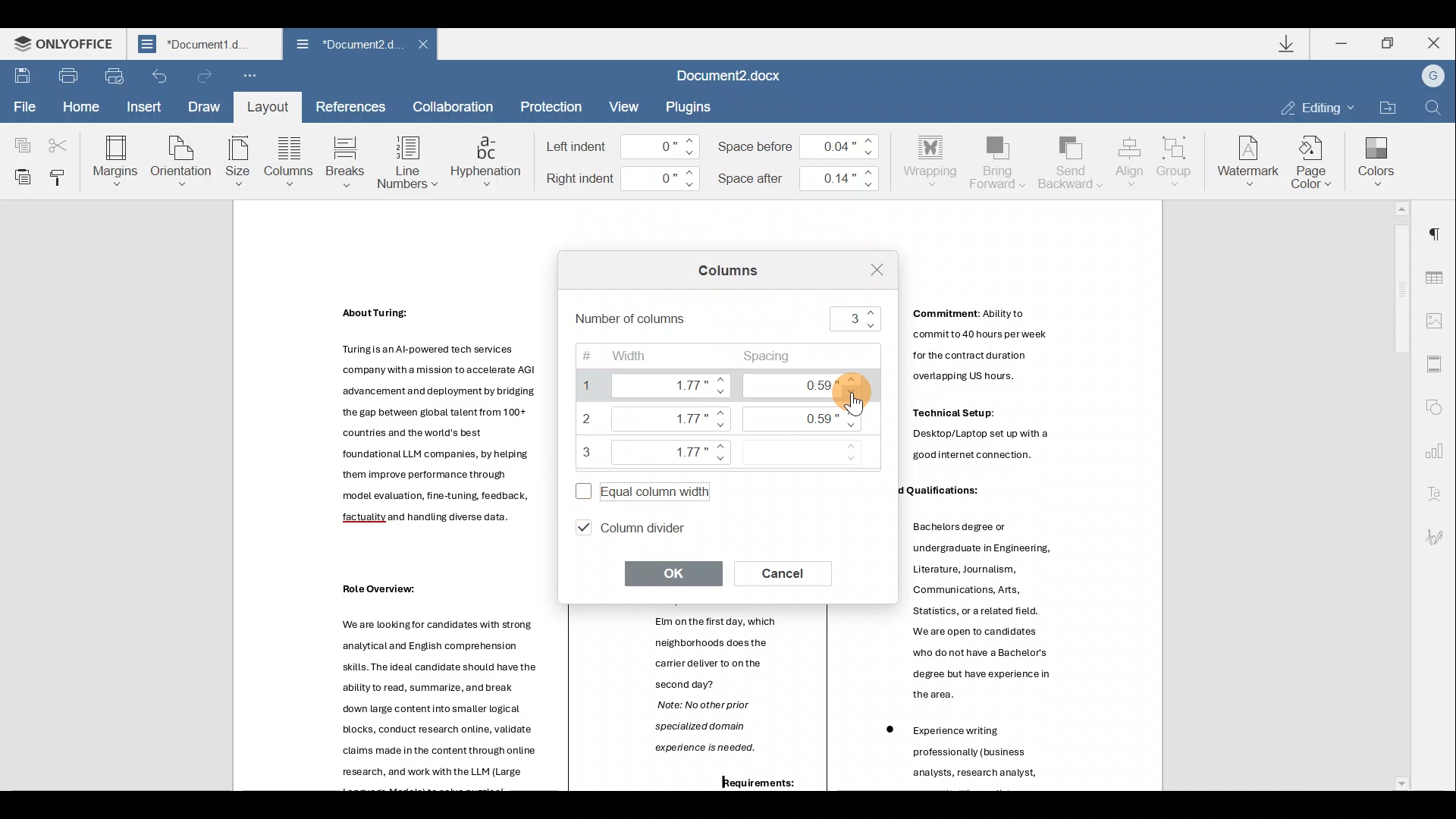 This screenshot has height=819, width=1456. Describe the element at coordinates (723, 274) in the screenshot. I see `Columns` at that location.